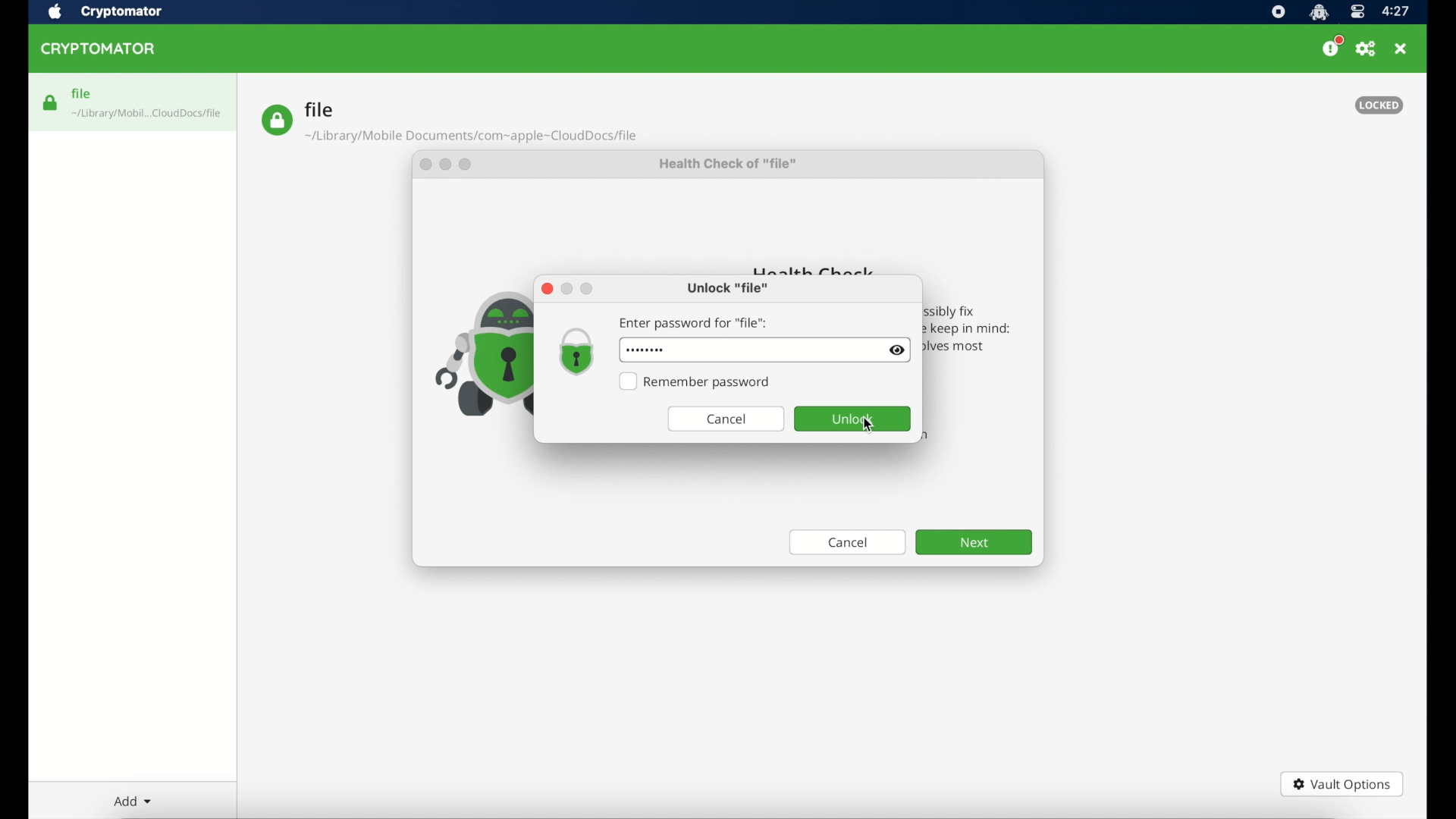 This screenshot has height=819, width=1456. What do you see at coordinates (424, 167) in the screenshot?
I see `close` at bounding box center [424, 167].